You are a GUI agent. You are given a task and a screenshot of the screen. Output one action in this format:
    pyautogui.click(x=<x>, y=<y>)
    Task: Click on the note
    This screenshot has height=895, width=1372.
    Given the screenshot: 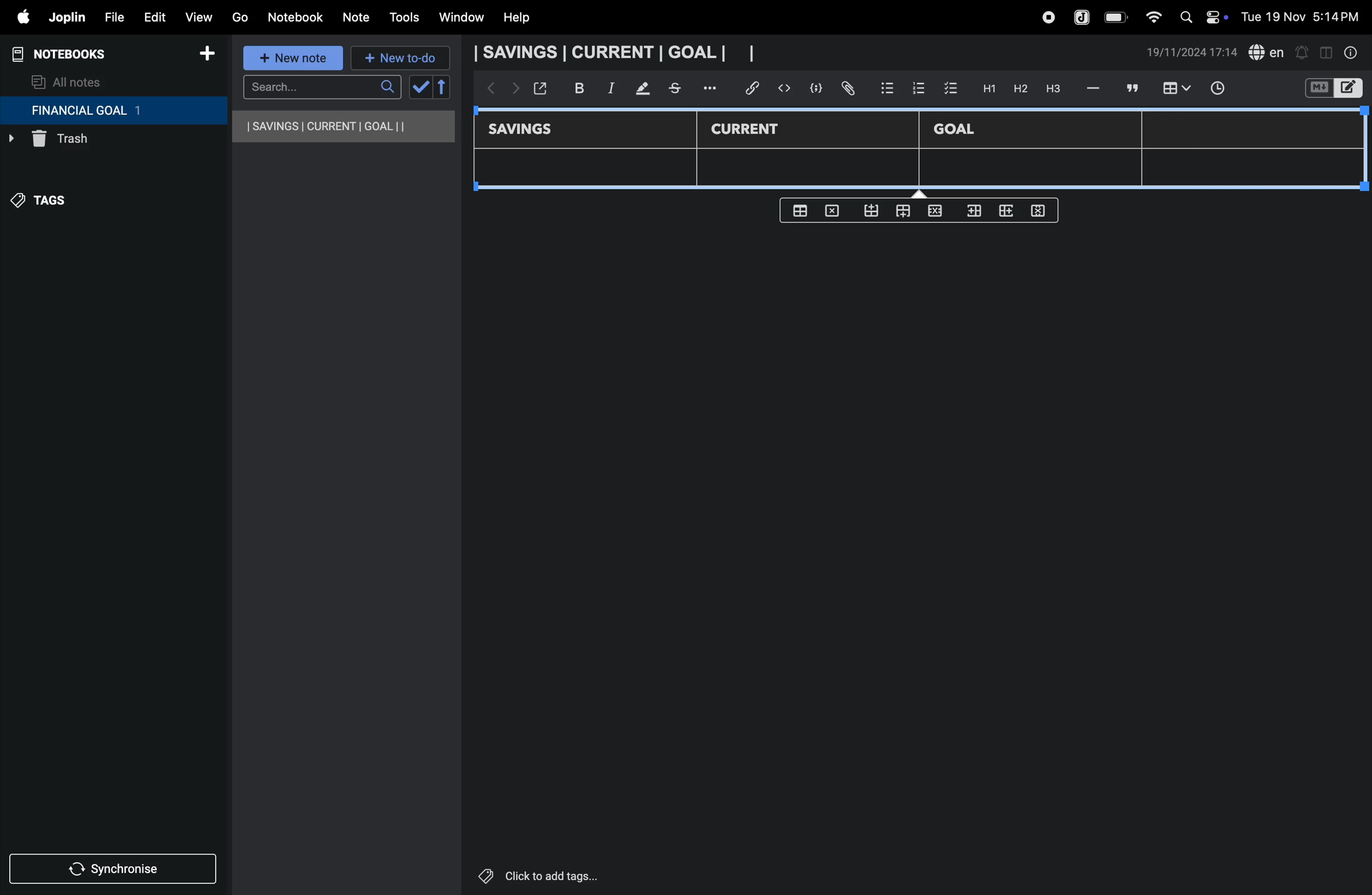 What is the action you would take?
    pyautogui.click(x=358, y=18)
    